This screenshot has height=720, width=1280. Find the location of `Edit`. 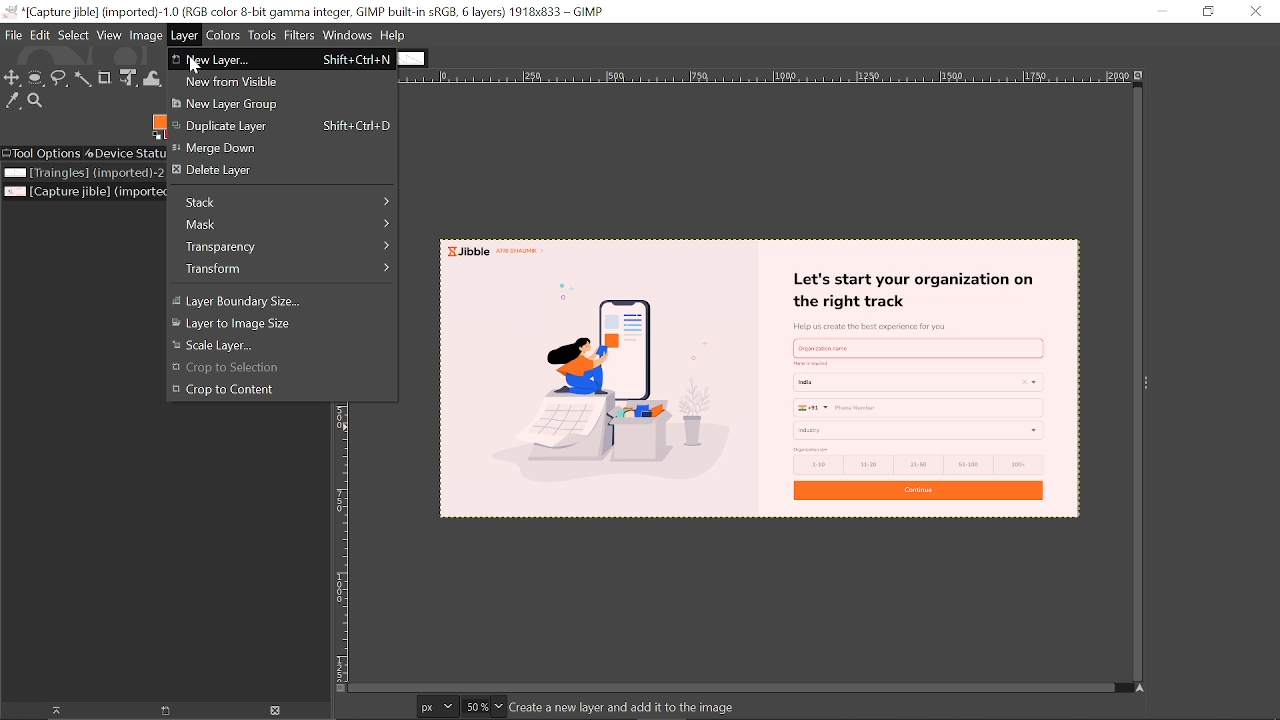

Edit is located at coordinates (40, 35).